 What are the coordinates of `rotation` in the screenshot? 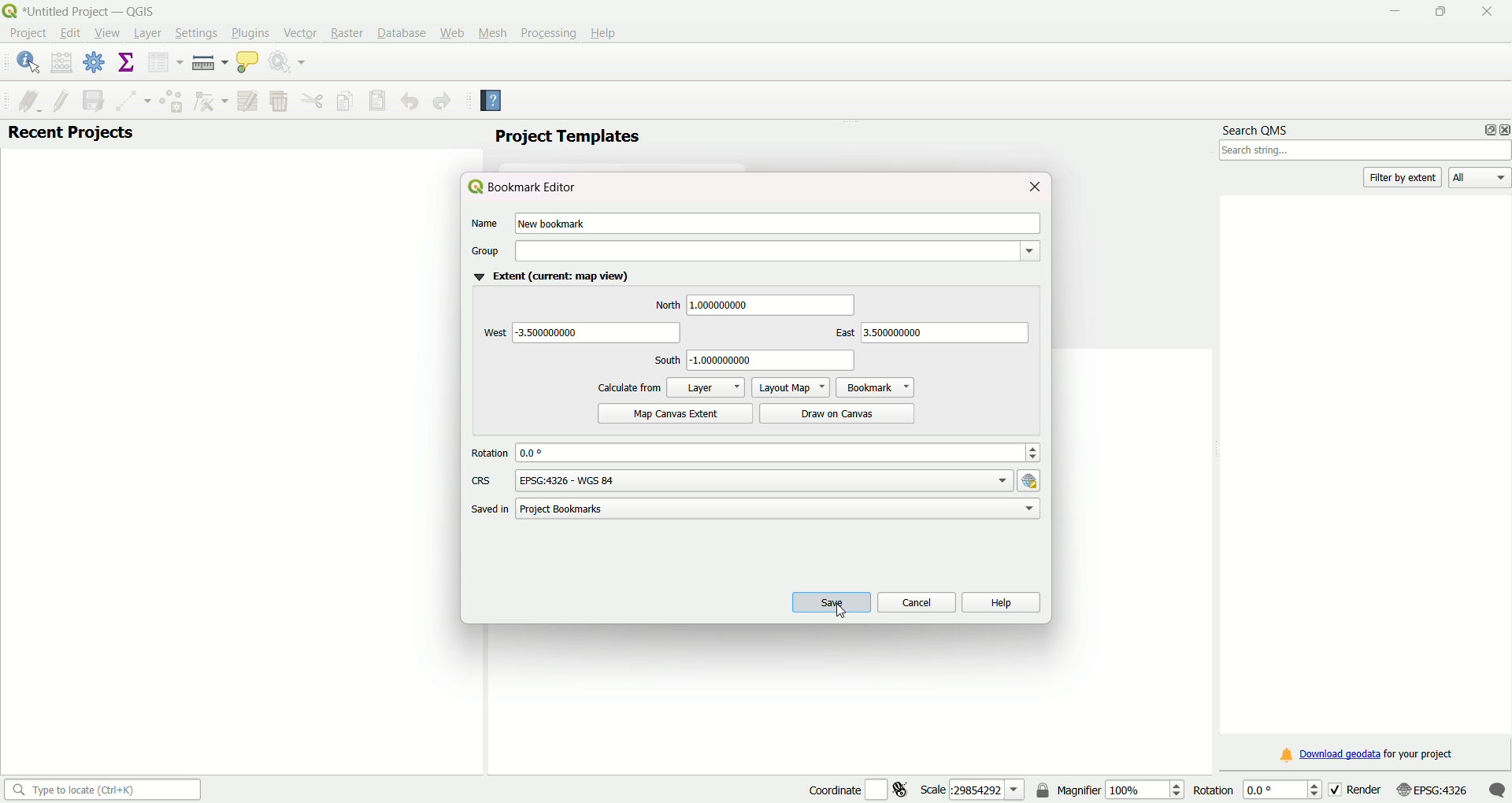 It's located at (1252, 789).